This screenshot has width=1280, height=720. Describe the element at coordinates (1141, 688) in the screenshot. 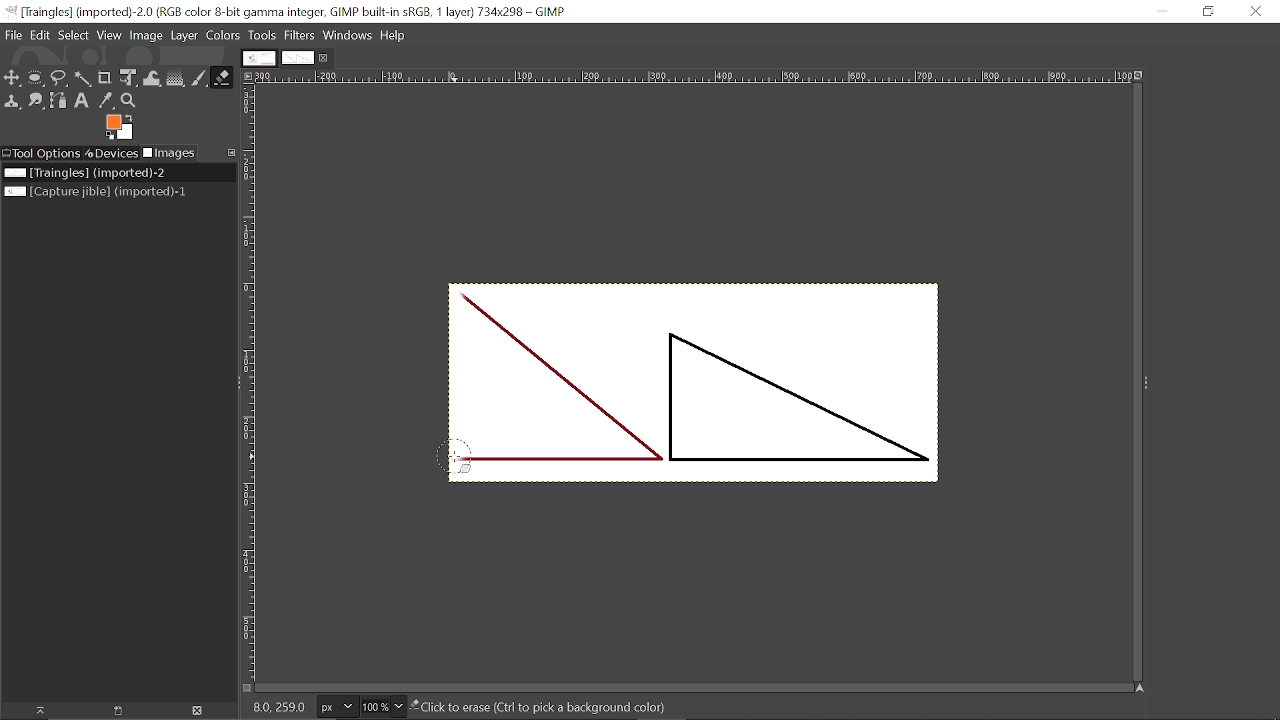

I see `Navigate this window` at that location.